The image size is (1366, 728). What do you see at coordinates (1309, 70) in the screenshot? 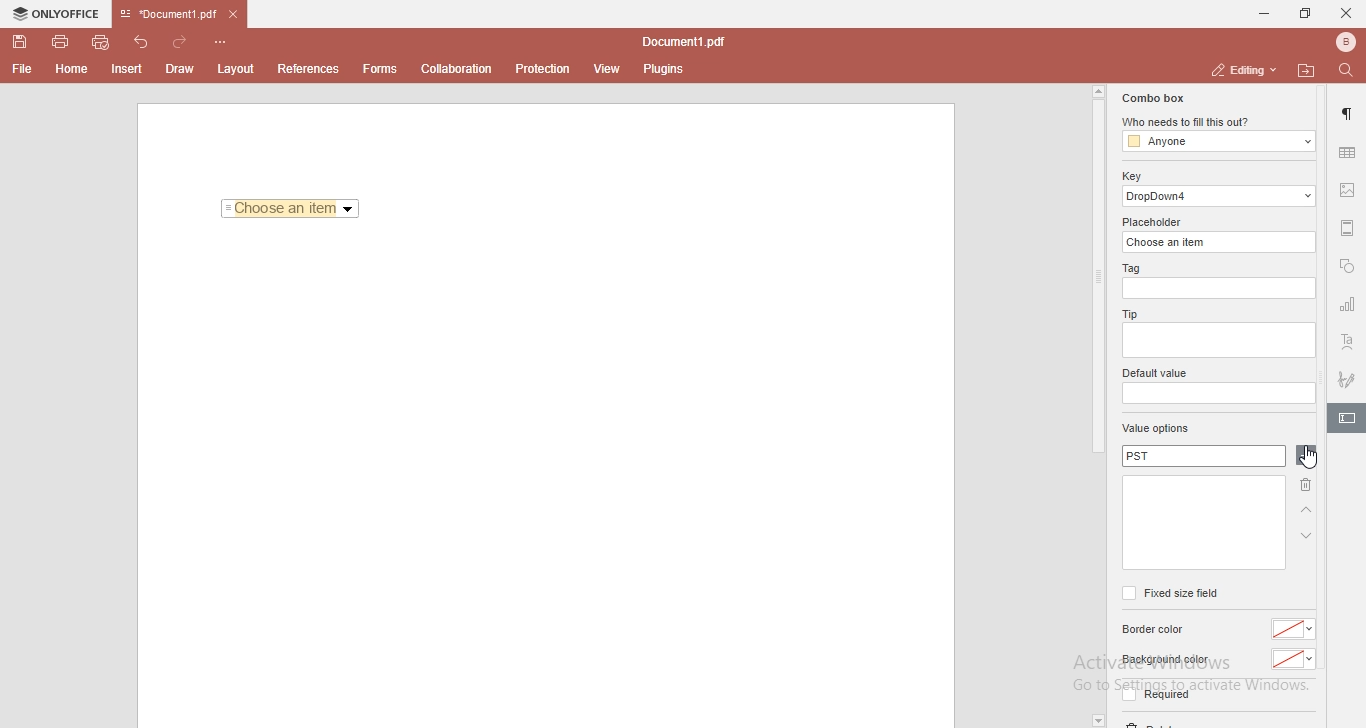
I see `open file location` at bounding box center [1309, 70].